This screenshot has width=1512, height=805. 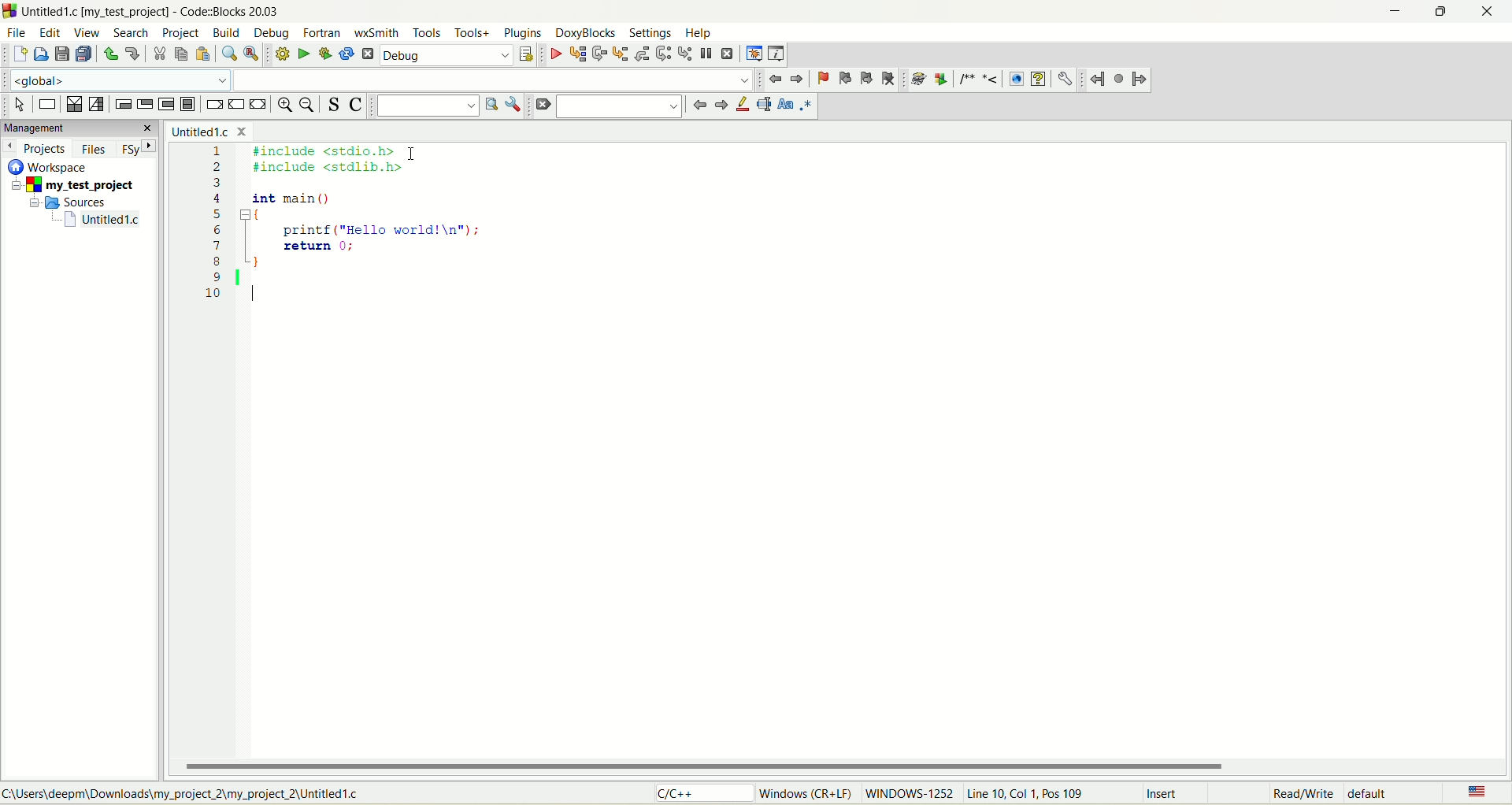 I want to click on highlight, so click(x=739, y=107).